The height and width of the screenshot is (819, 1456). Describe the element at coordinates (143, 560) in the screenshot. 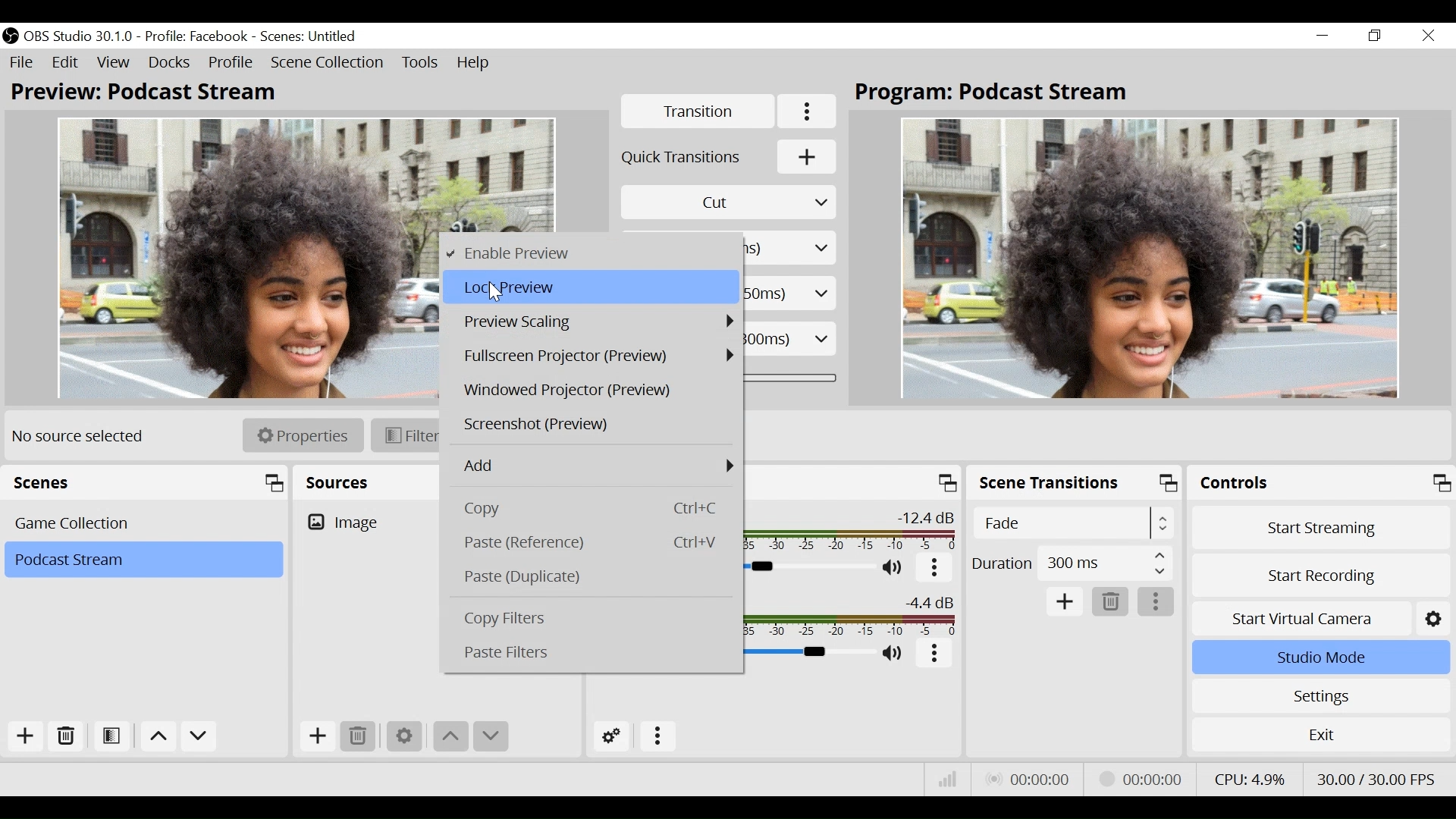

I see `Scene` at that location.